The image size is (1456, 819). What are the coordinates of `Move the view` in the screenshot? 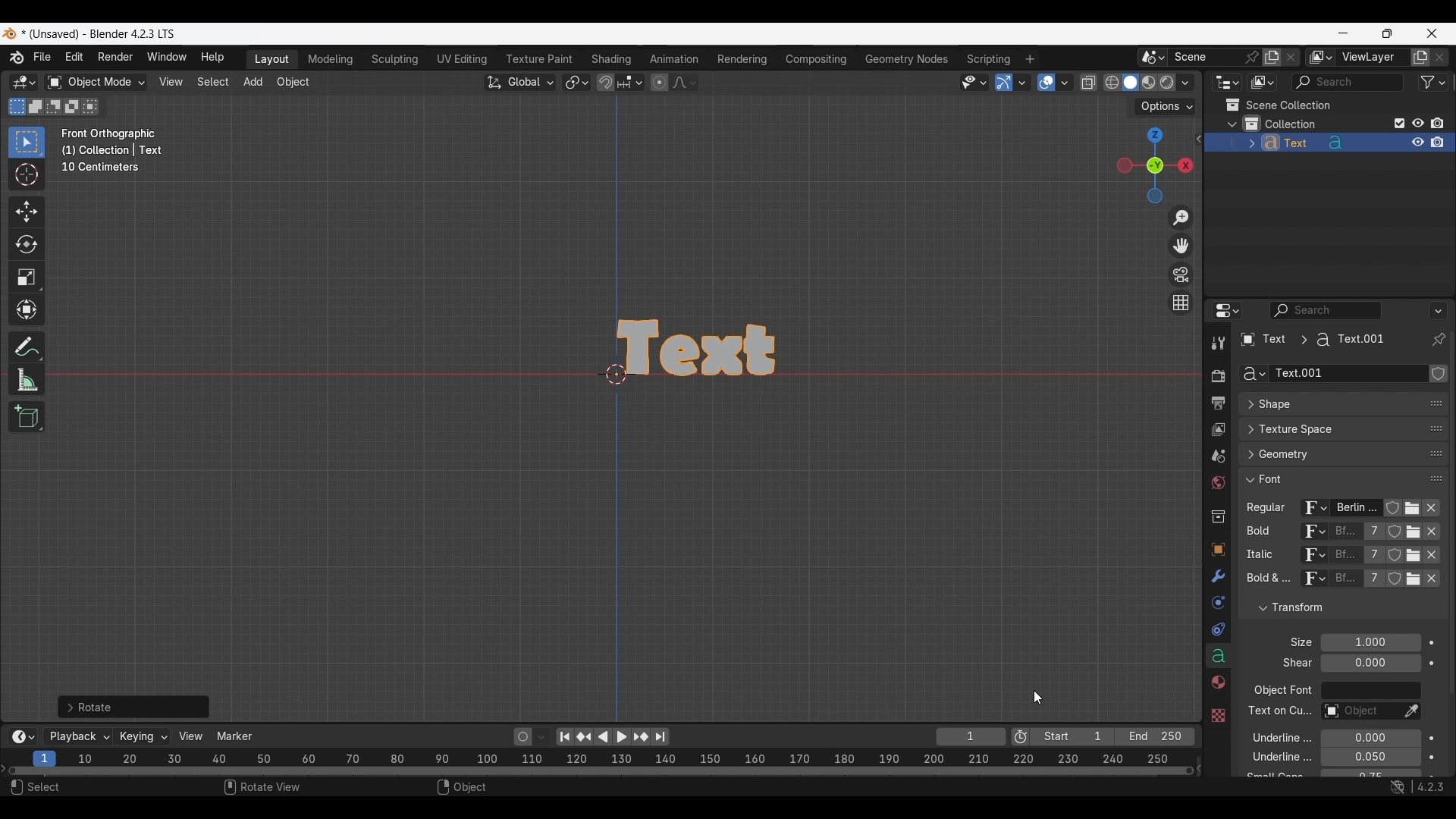 It's located at (1182, 246).